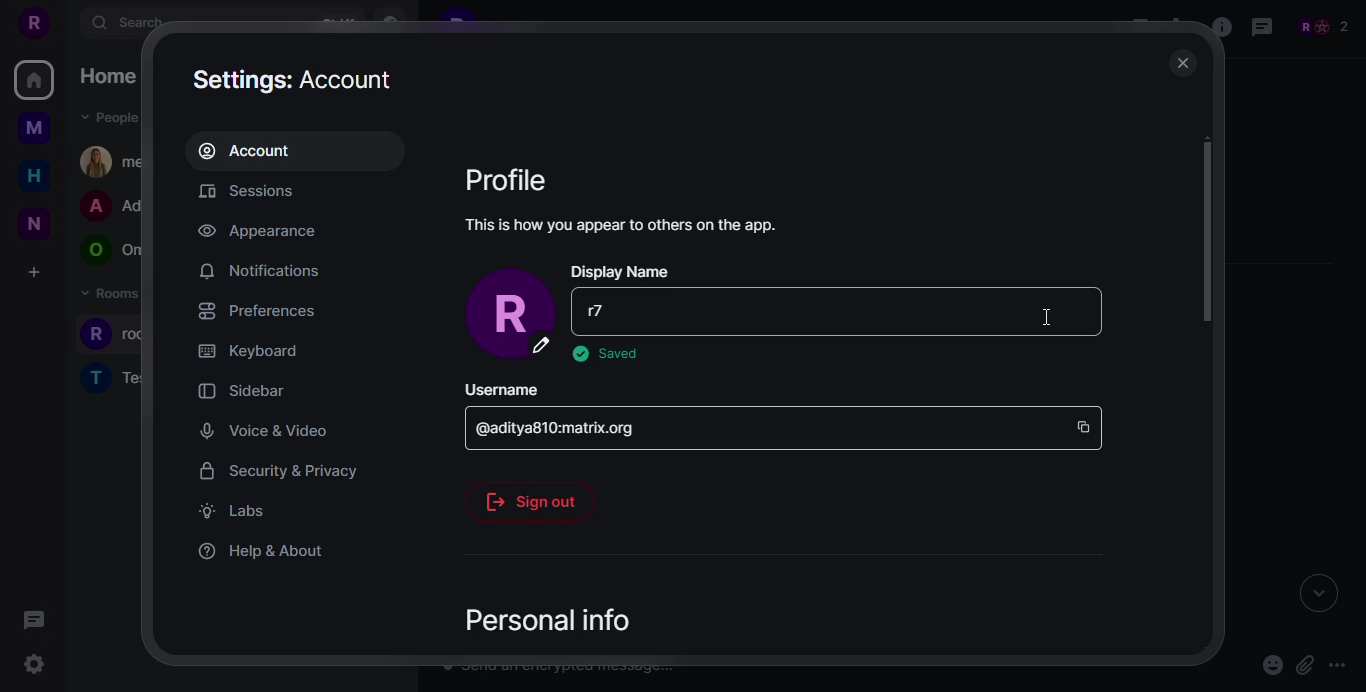 The height and width of the screenshot is (692, 1366). I want to click on new, so click(38, 223).